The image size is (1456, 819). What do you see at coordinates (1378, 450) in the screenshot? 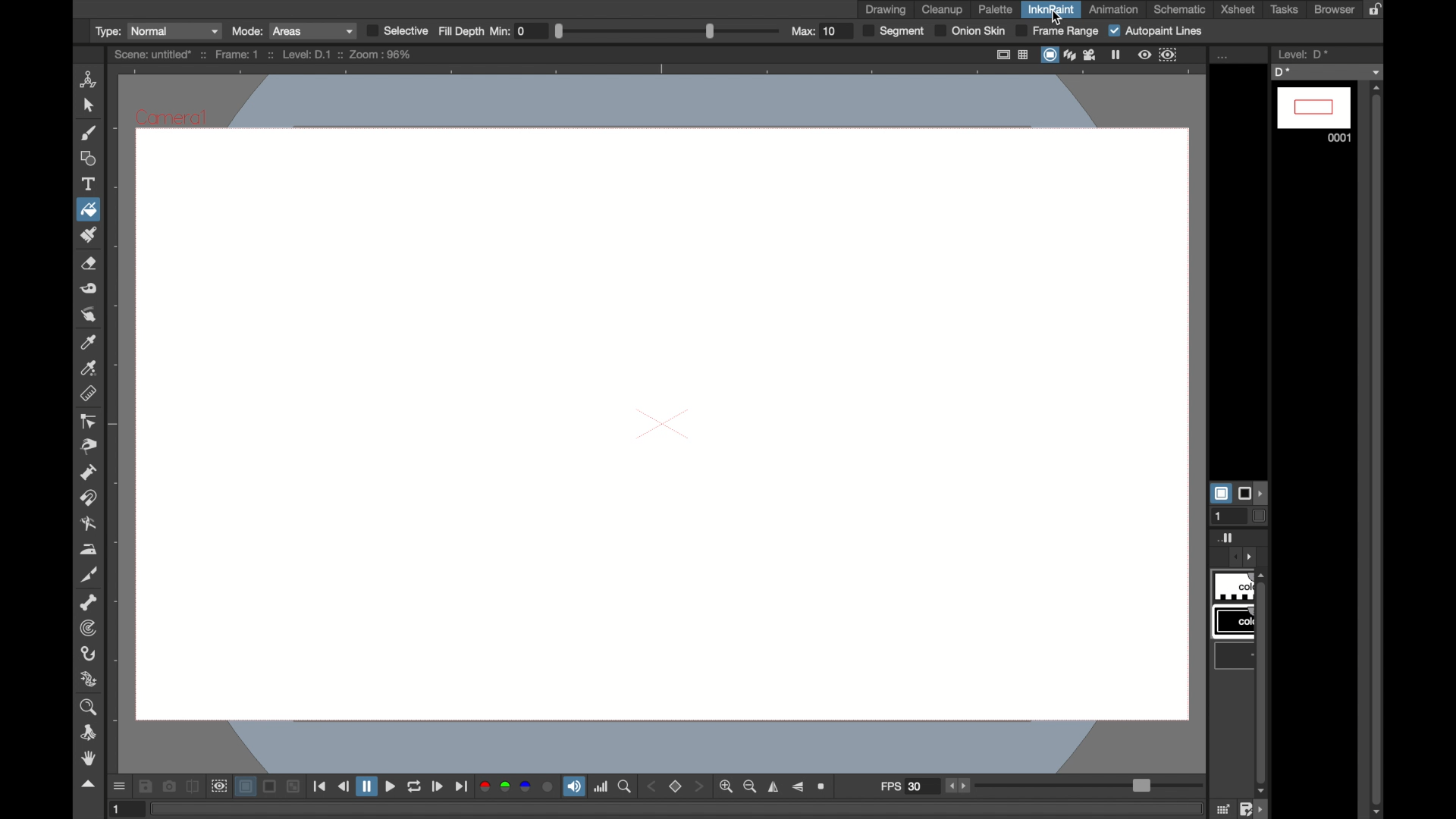
I see `scroll box` at bounding box center [1378, 450].